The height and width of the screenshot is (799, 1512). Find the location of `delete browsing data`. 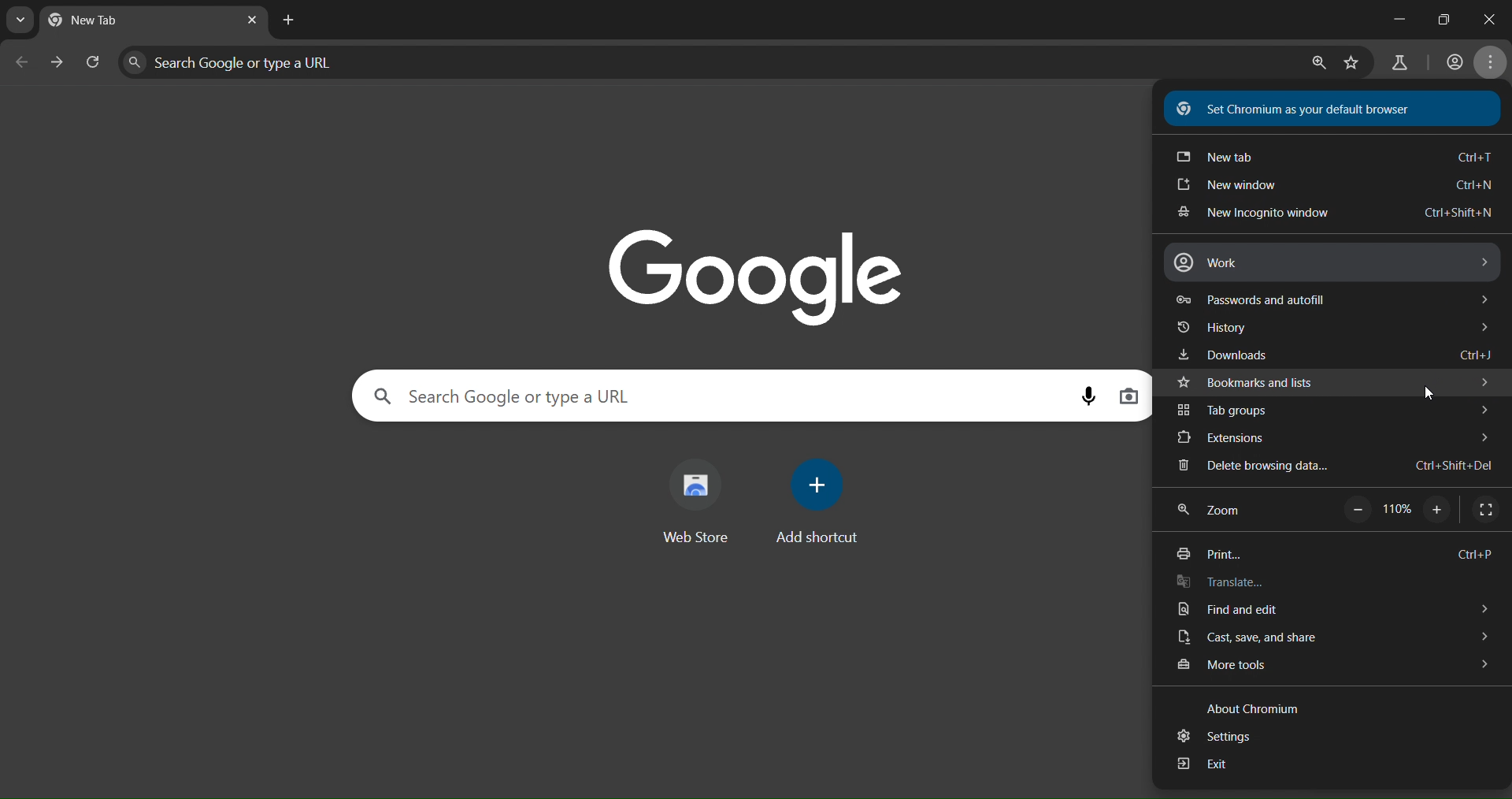

delete browsing data is located at coordinates (1343, 463).